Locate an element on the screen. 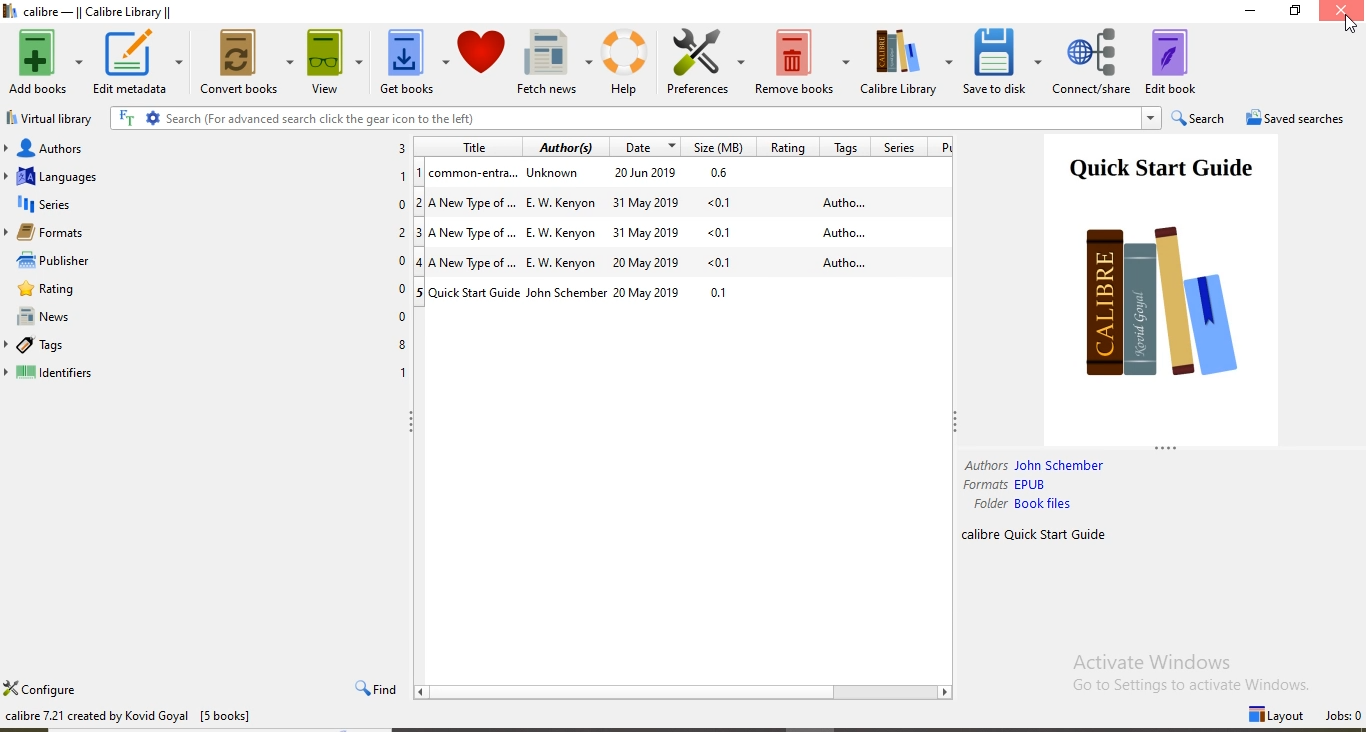 Image resolution: width=1366 pixels, height=732 pixels. Restore is located at coordinates (1297, 10).